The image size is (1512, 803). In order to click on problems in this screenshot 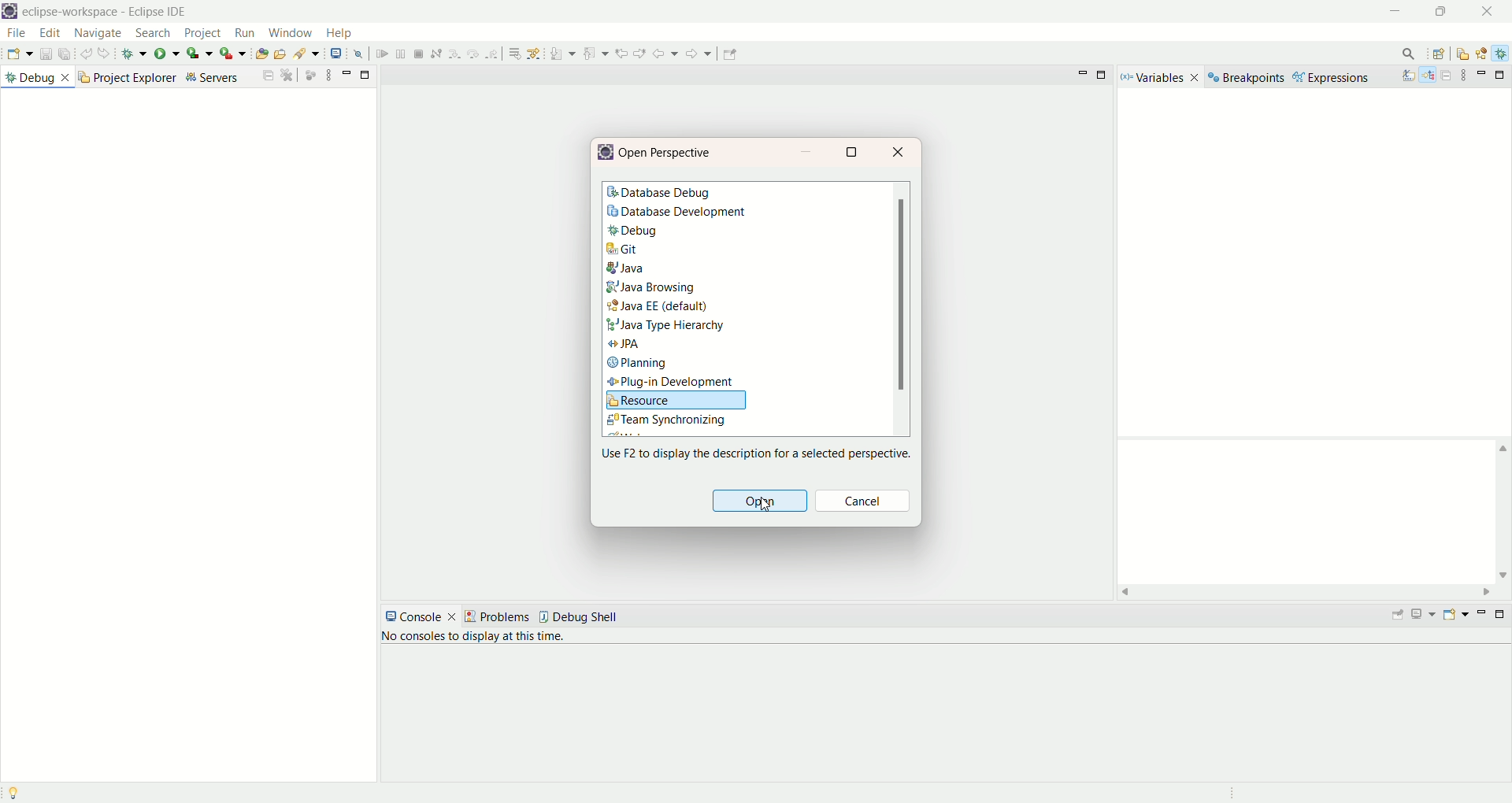, I will do `click(503, 616)`.